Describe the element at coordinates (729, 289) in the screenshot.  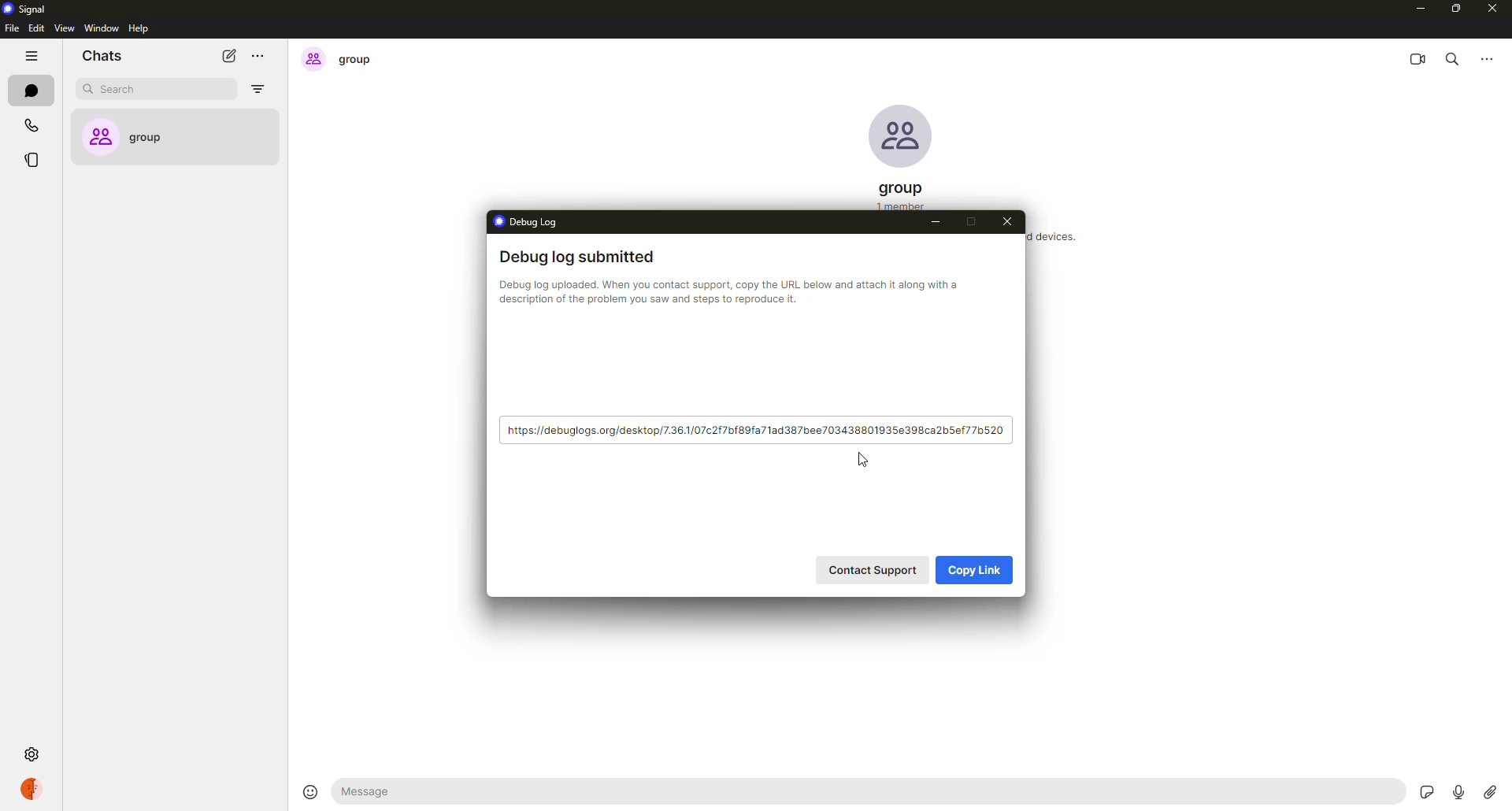
I see `info` at that location.